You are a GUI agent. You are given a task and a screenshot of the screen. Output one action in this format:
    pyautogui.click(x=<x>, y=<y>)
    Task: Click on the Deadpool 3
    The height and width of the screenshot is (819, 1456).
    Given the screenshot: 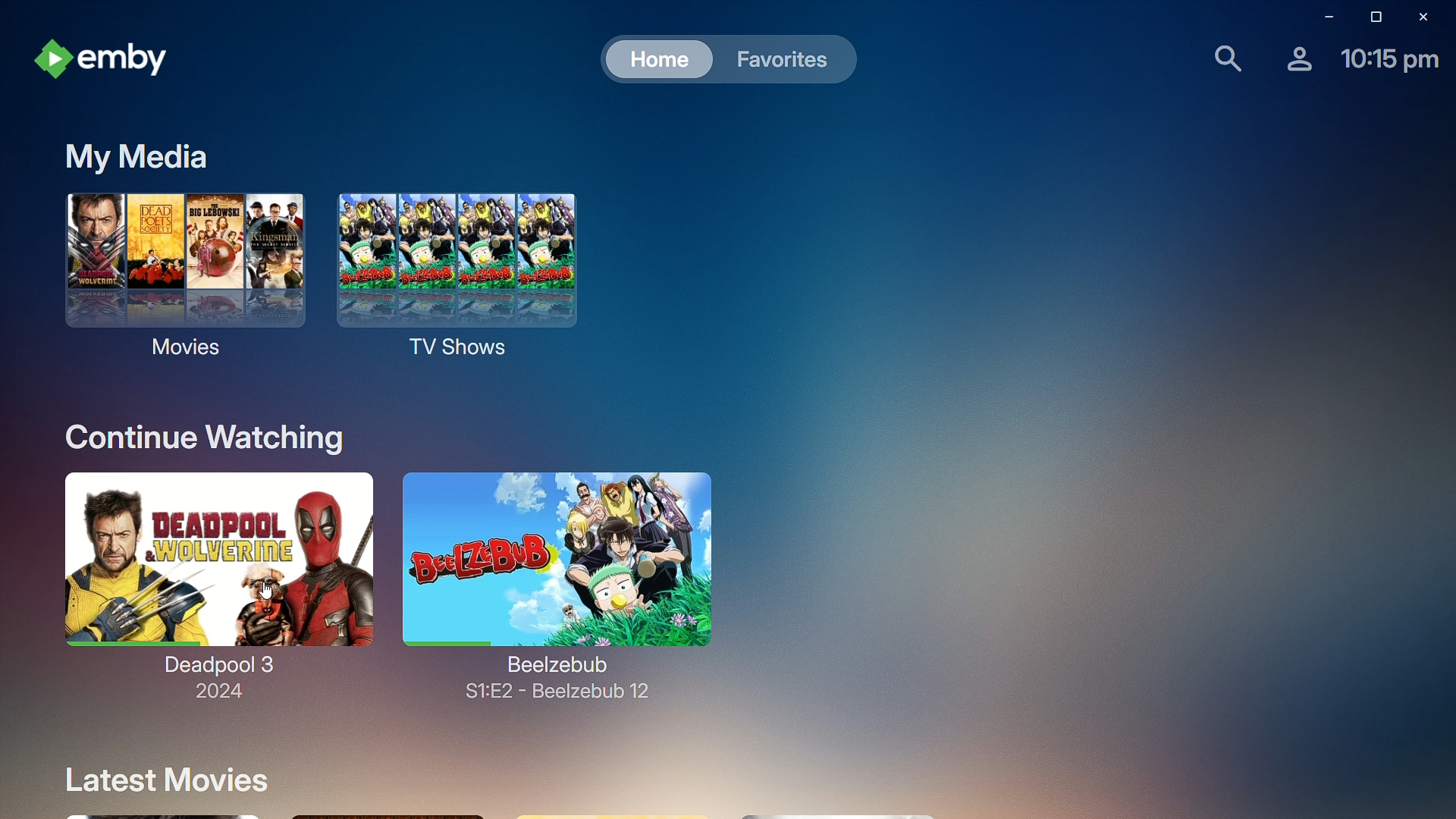 What is the action you would take?
    pyautogui.click(x=207, y=571)
    